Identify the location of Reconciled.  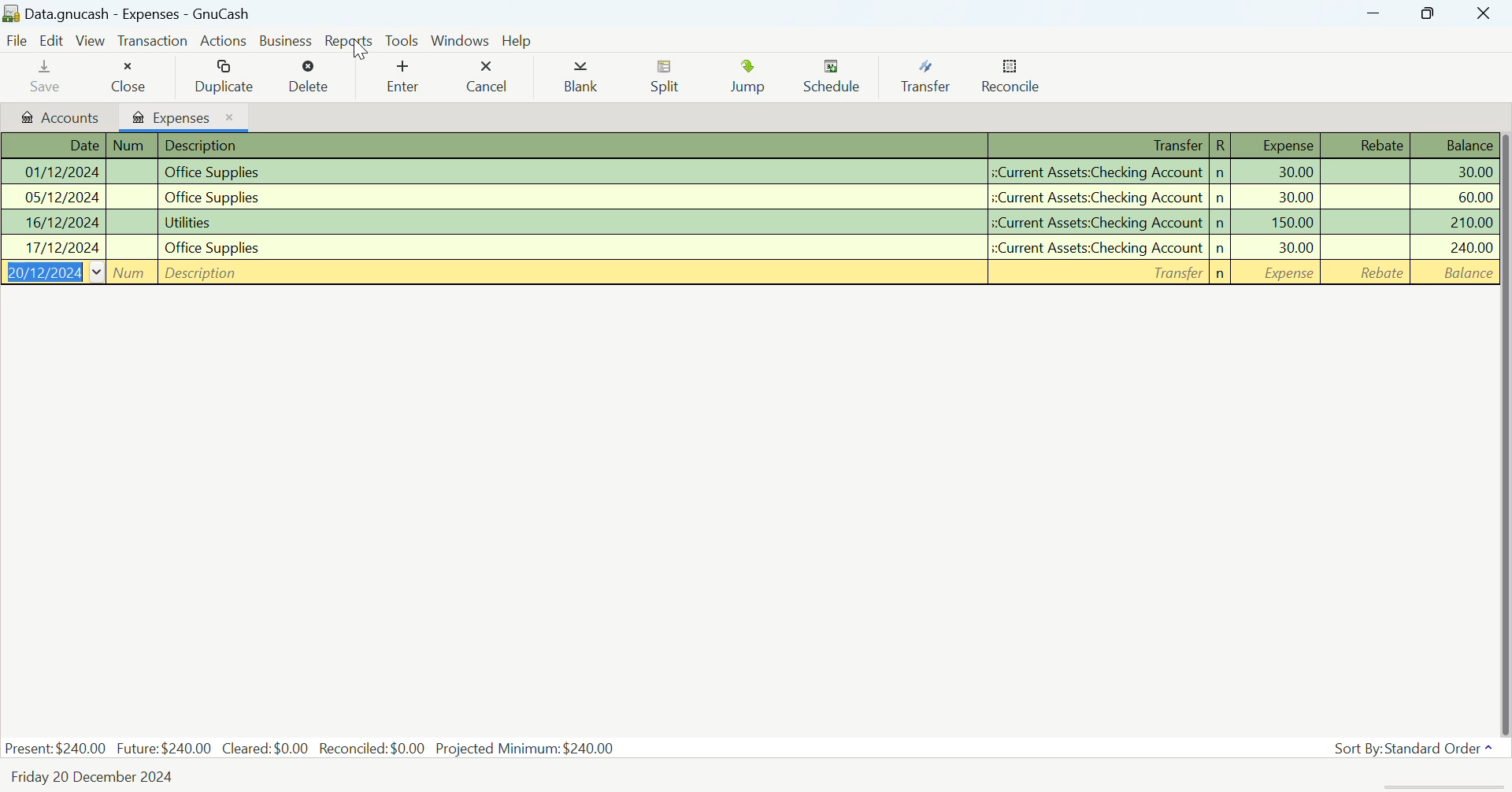
(373, 748).